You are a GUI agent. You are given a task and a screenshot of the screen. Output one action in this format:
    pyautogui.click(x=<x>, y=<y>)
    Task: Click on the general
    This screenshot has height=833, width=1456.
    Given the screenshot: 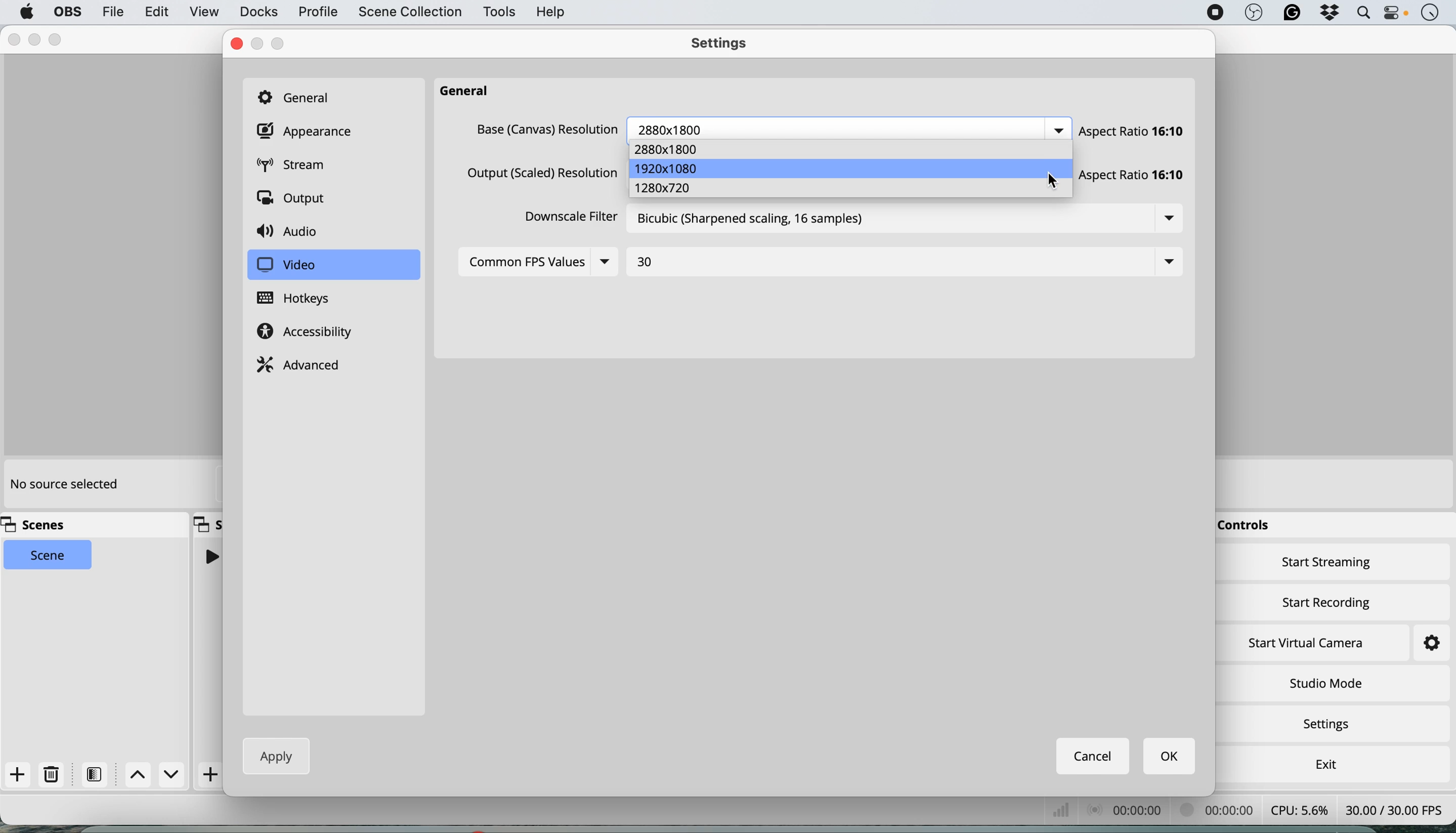 What is the action you would take?
    pyautogui.click(x=464, y=89)
    